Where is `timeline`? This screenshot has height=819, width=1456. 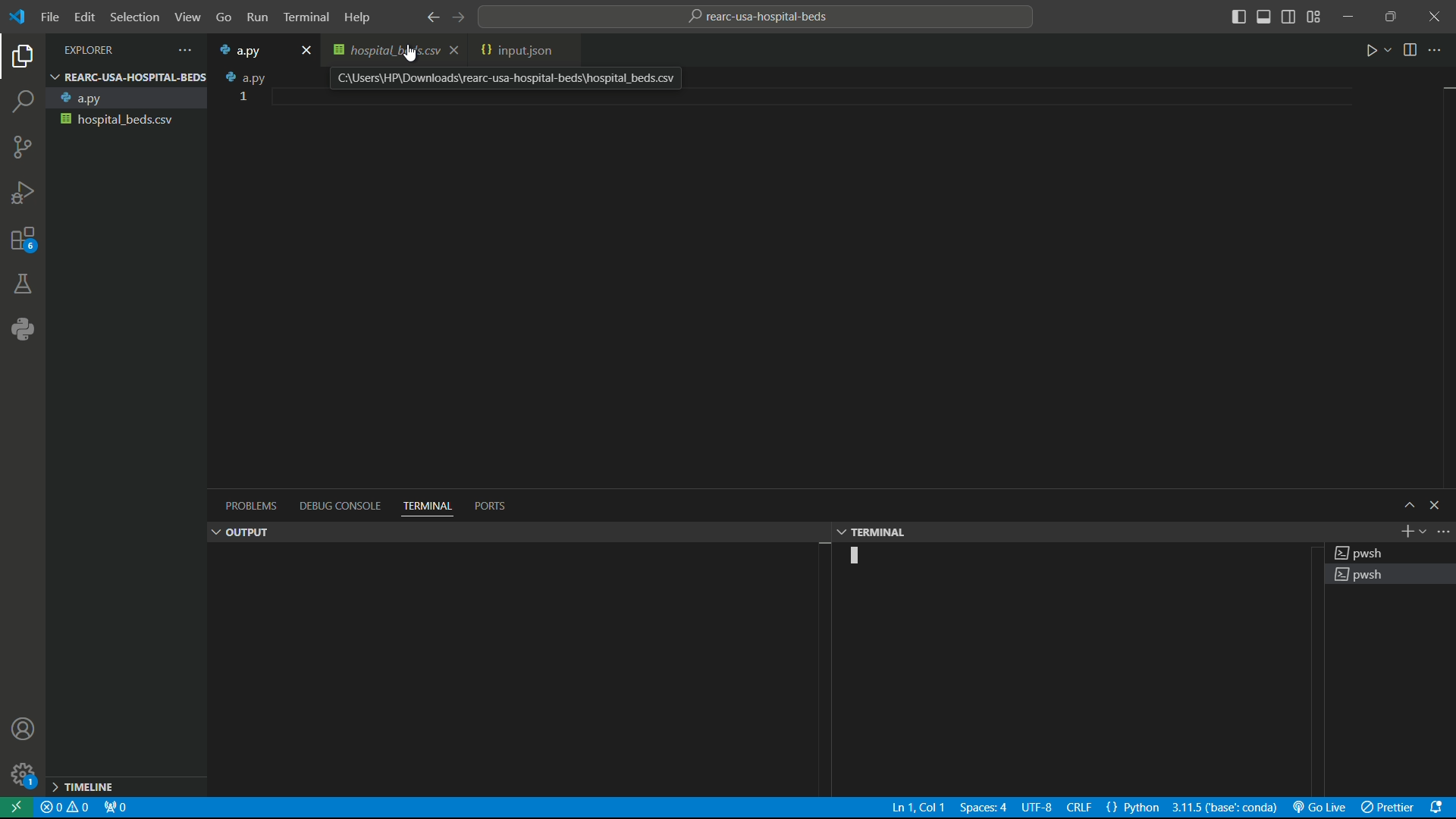
timeline is located at coordinates (126, 786).